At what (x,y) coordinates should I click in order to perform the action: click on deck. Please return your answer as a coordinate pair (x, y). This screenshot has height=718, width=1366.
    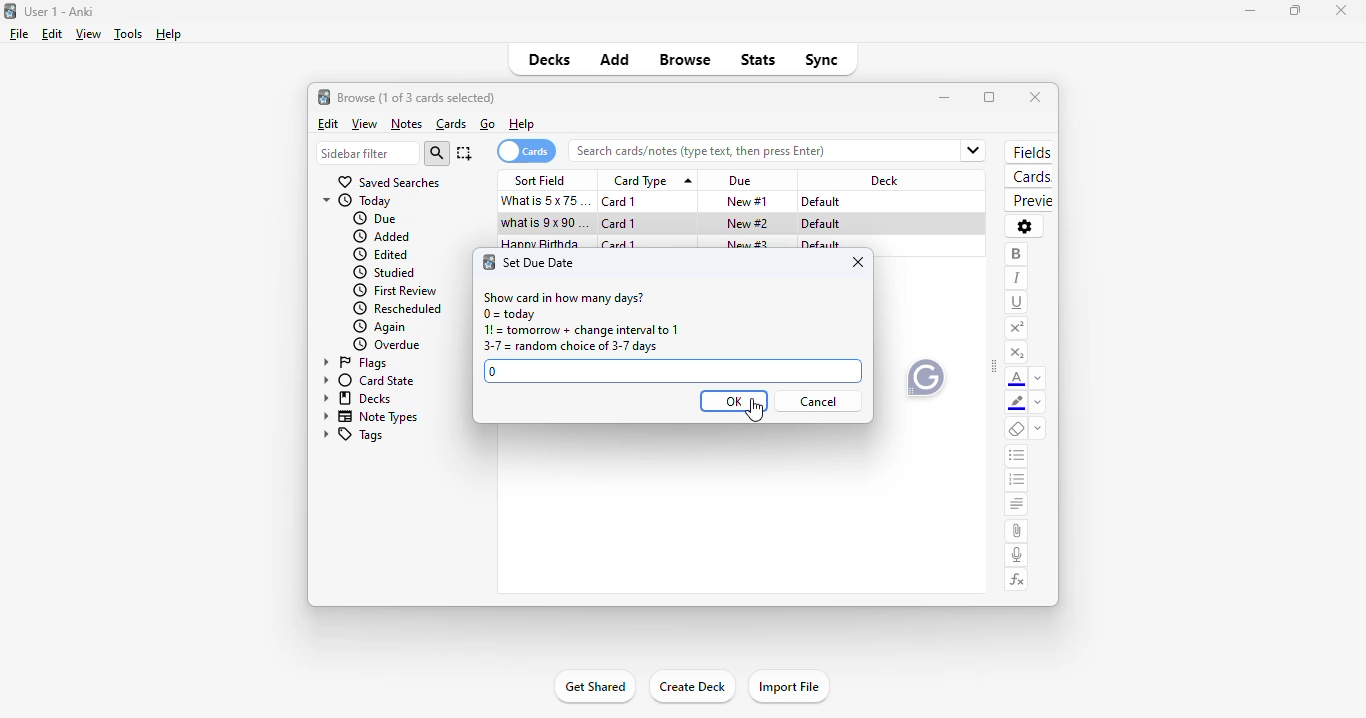
    Looking at the image, I should click on (884, 181).